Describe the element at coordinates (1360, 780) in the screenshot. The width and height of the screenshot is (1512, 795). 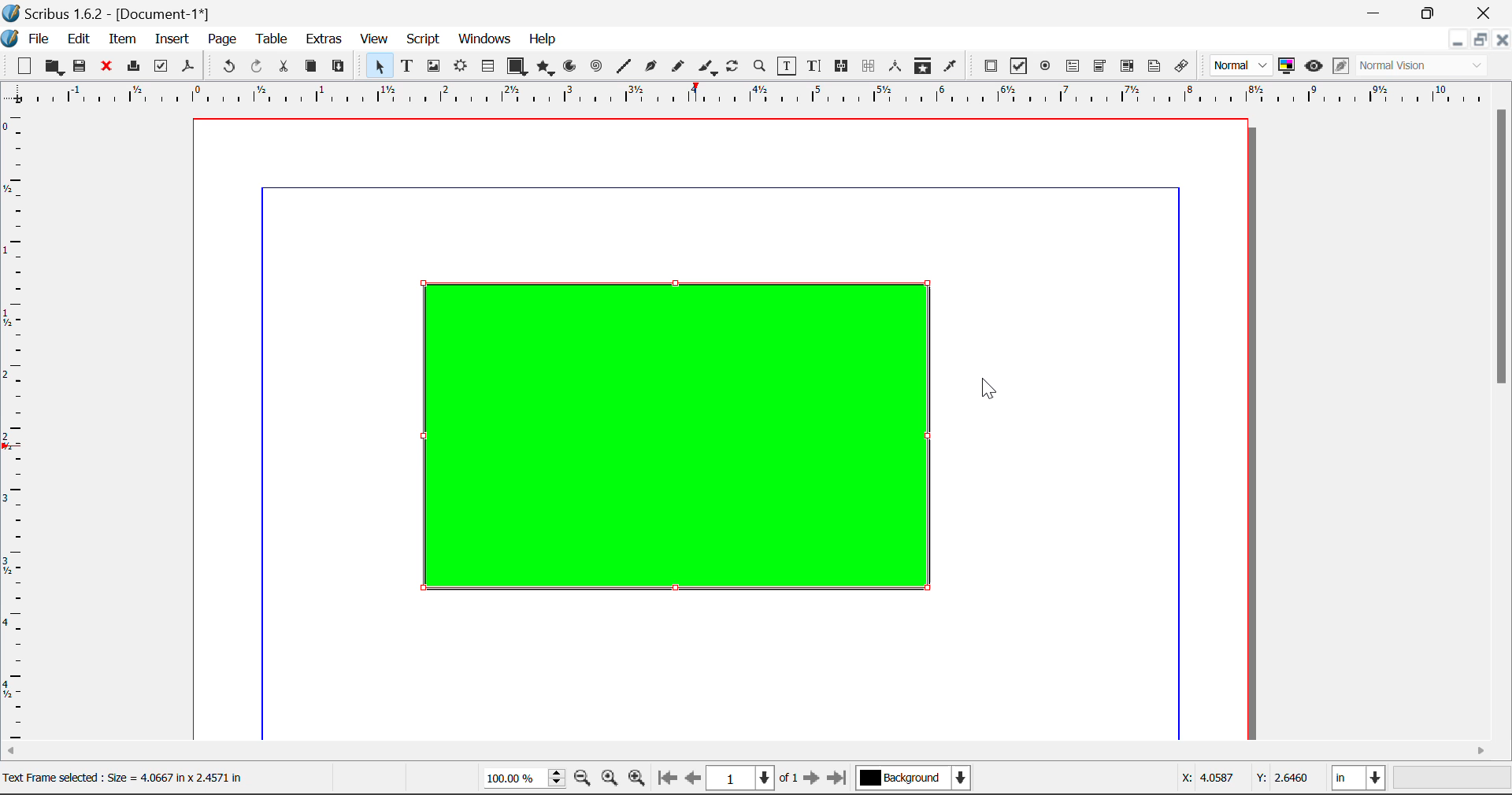
I see `Measurement Units` at that location.